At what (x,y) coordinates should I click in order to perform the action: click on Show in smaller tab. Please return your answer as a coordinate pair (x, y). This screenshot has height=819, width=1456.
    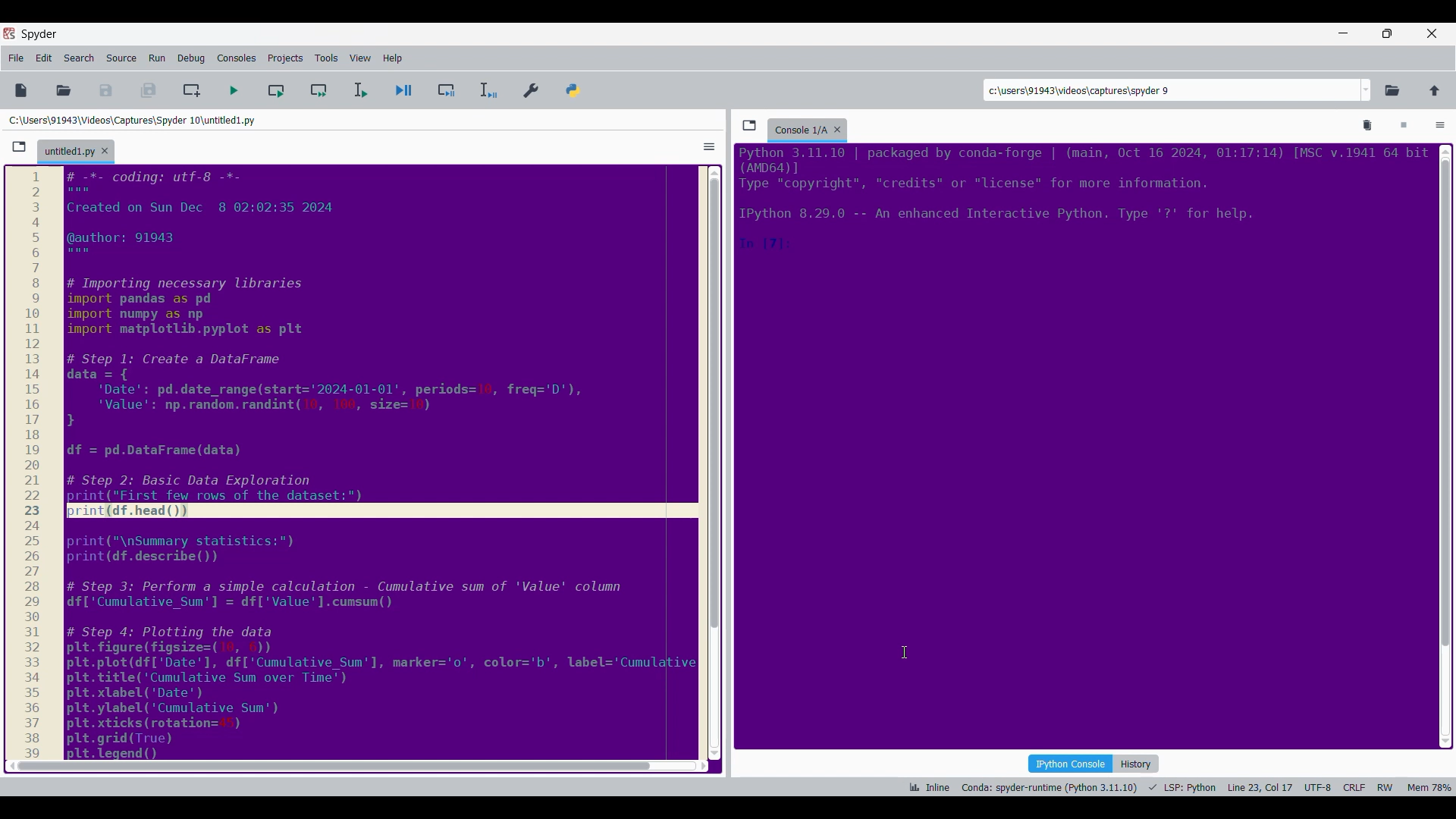
    Looking at the image, I should click on (1387, 33).